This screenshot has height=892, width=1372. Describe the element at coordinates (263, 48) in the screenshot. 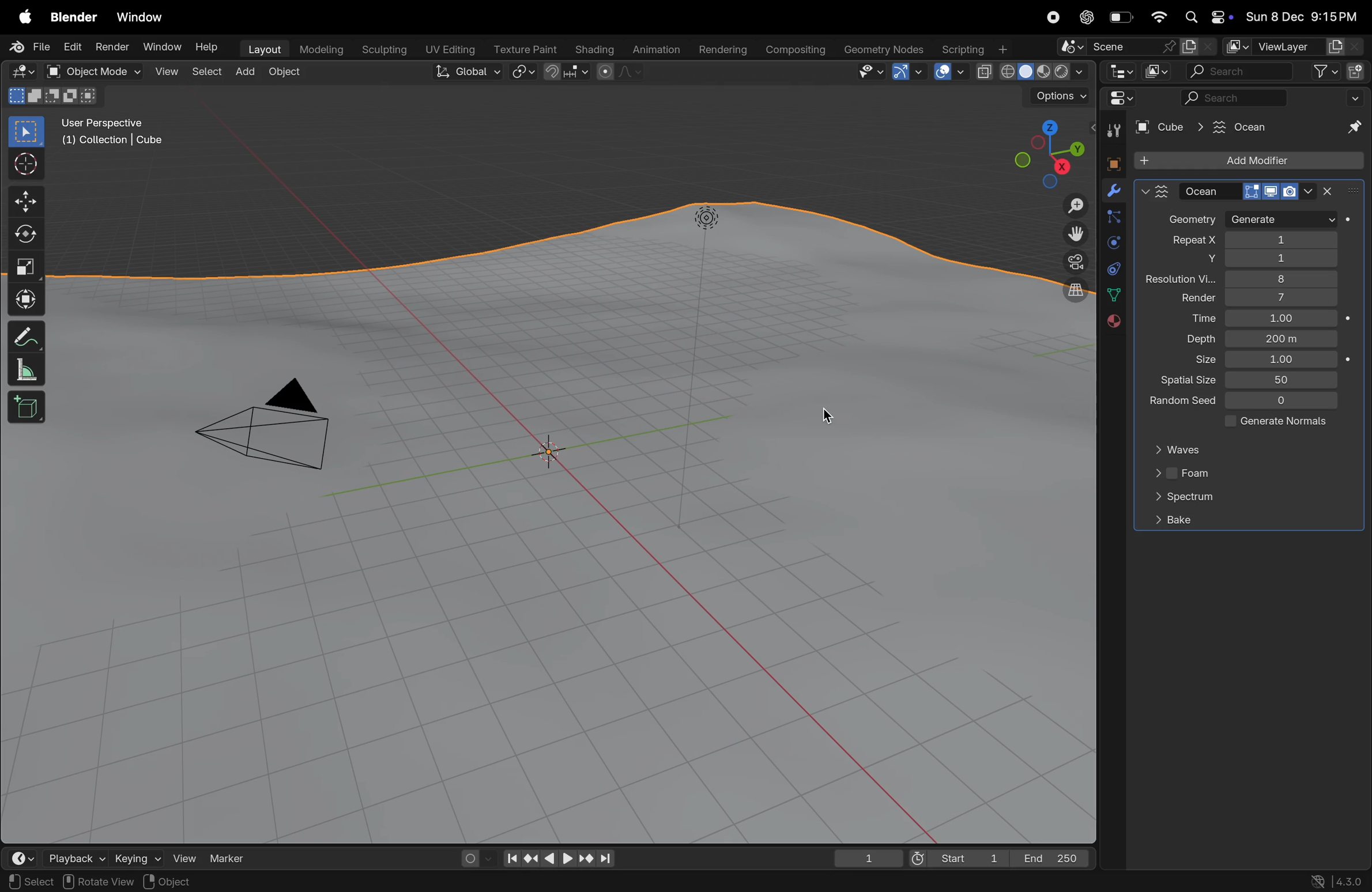

I see `layout` at that location.